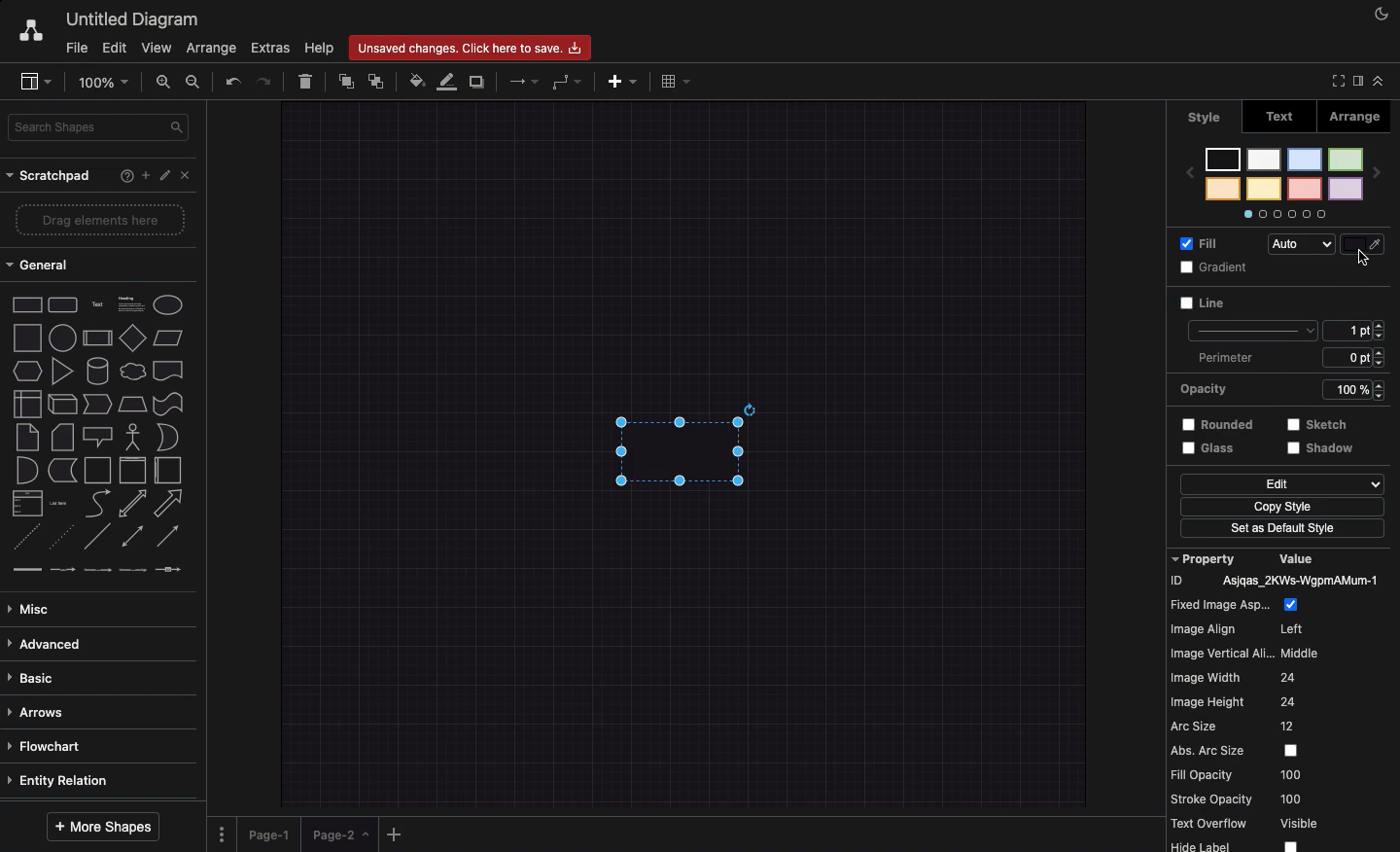 The width and height of the screenshot is (1400, 852). I want to click on Extras, so click(270, 49).